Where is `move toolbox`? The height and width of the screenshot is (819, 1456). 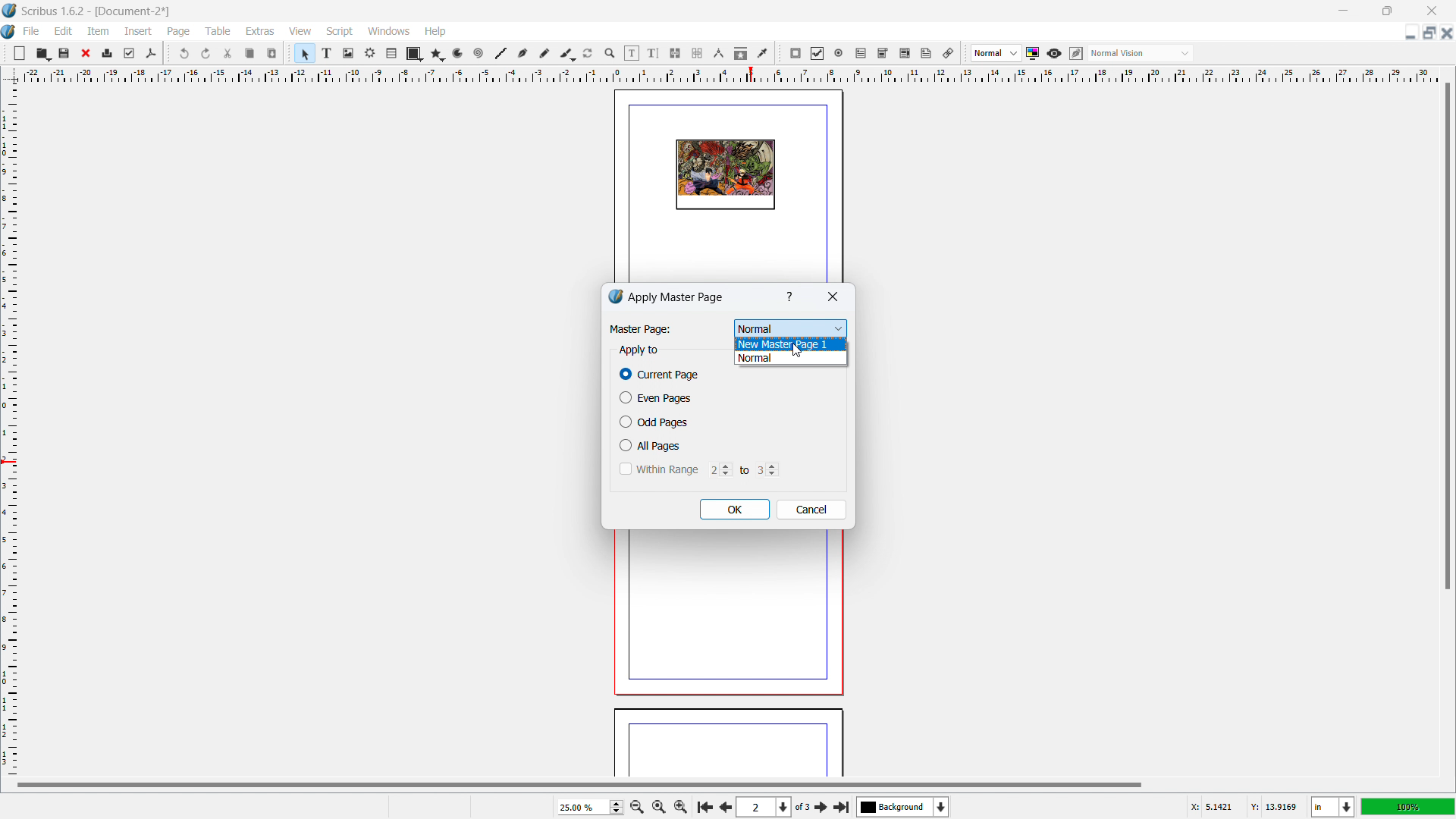 move toolbox is located at coordinates (965, 54).